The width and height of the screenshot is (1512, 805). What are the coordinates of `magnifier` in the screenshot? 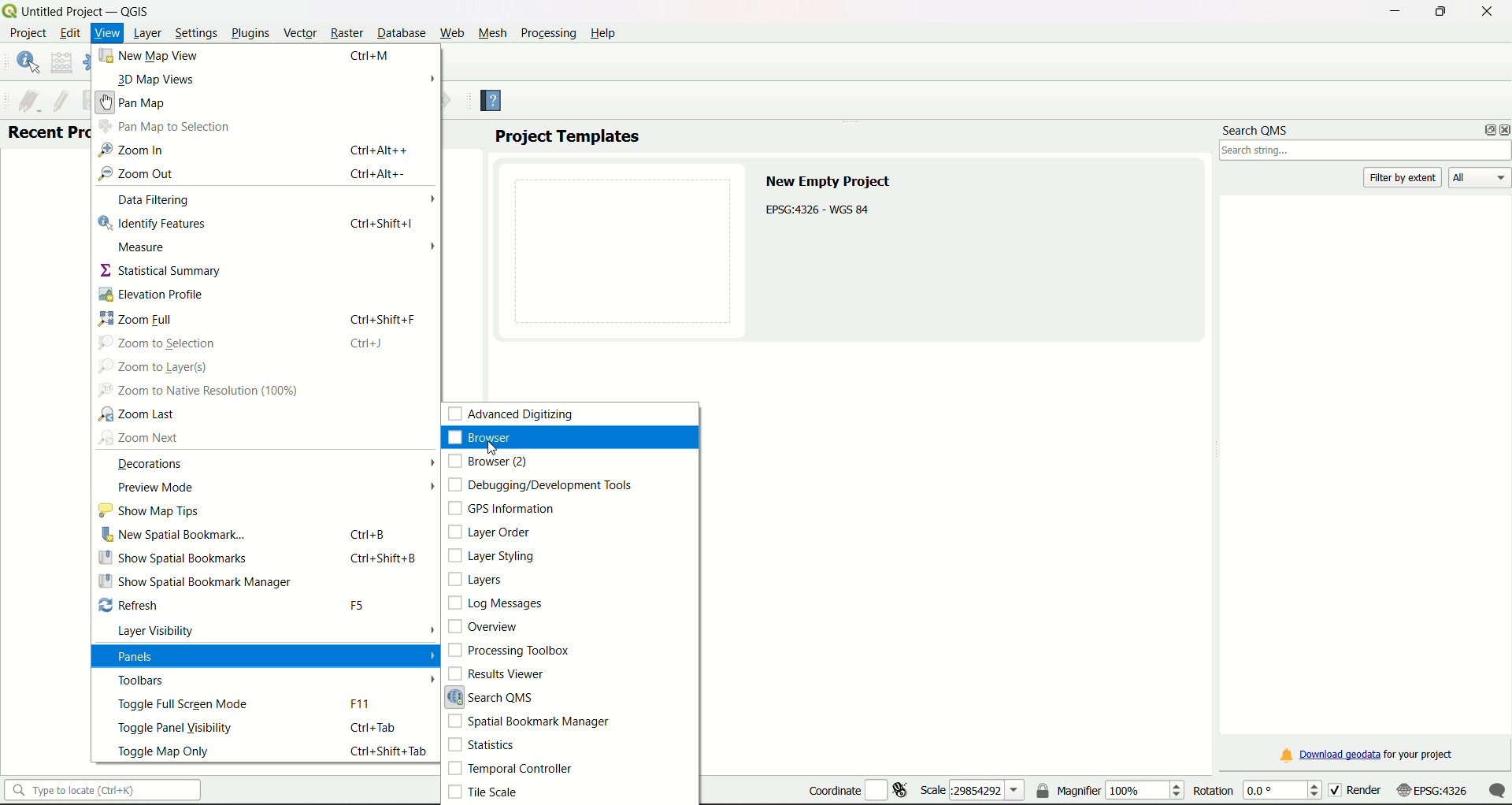 It's located at (1110, 789).